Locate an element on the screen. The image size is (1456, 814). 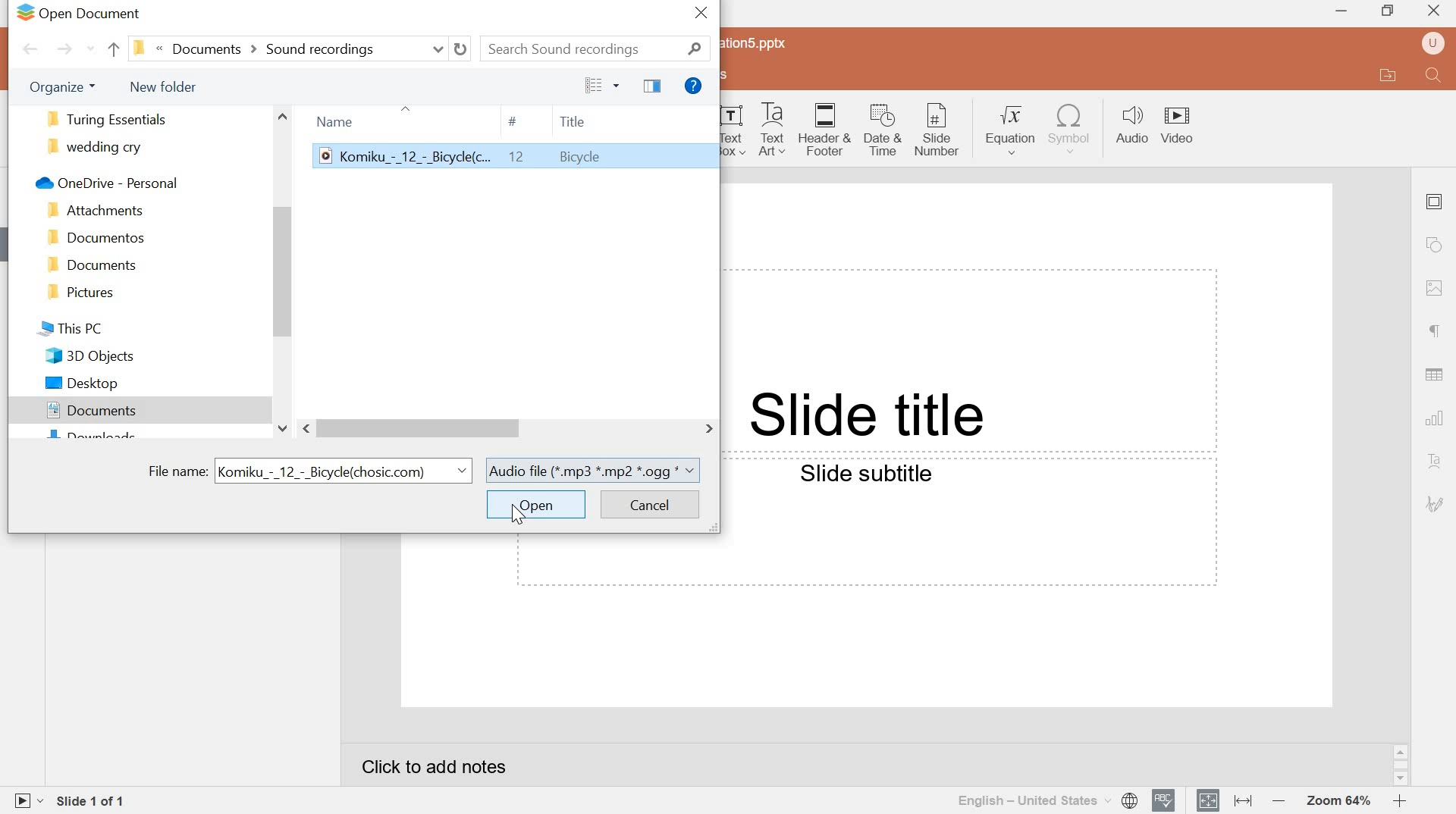
Slide number is located at coordinates (938, 130).